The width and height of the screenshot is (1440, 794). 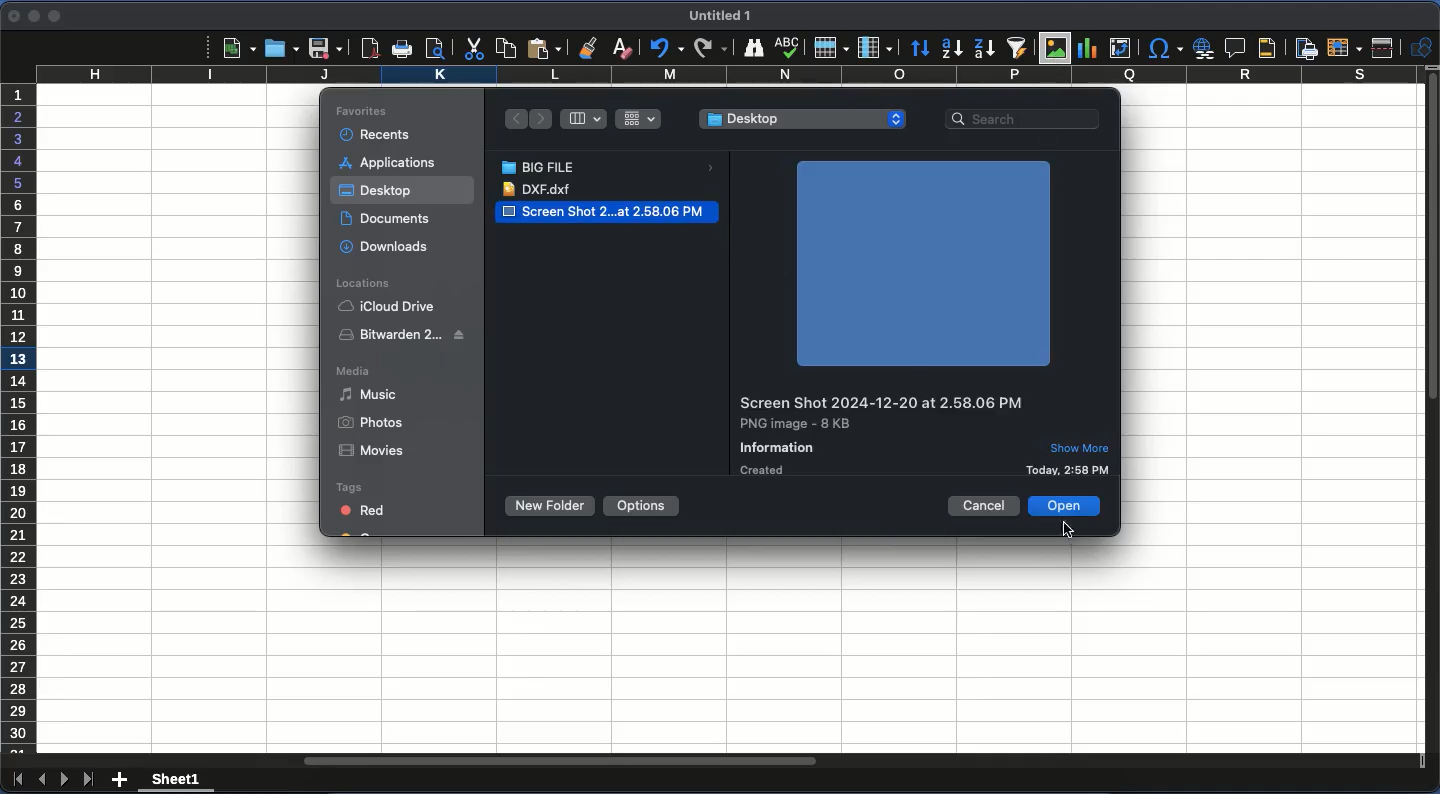 I want to click on last sheet, so click(x=90, y=780).